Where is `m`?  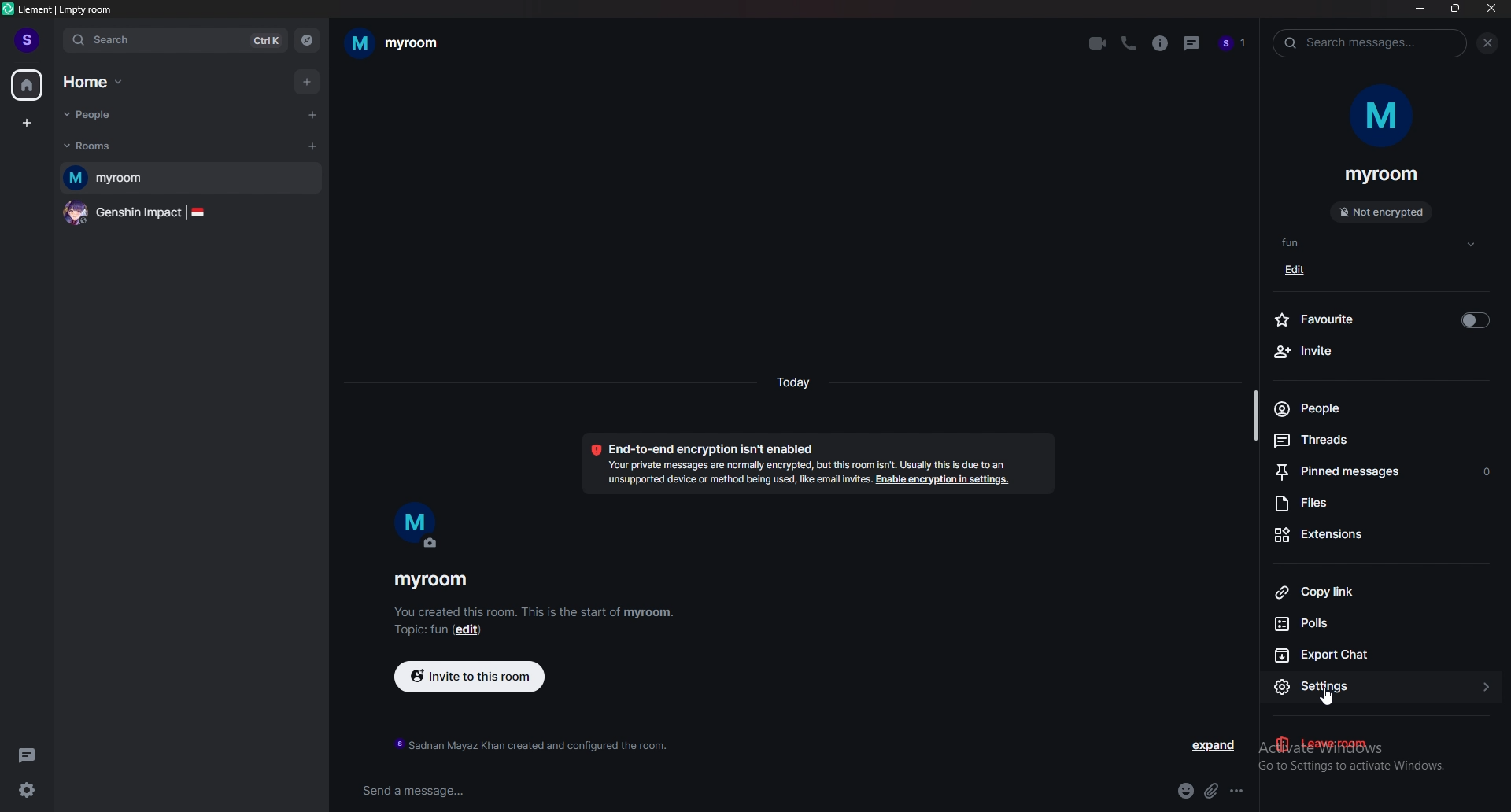 m is located at coordinates (1384, 121).